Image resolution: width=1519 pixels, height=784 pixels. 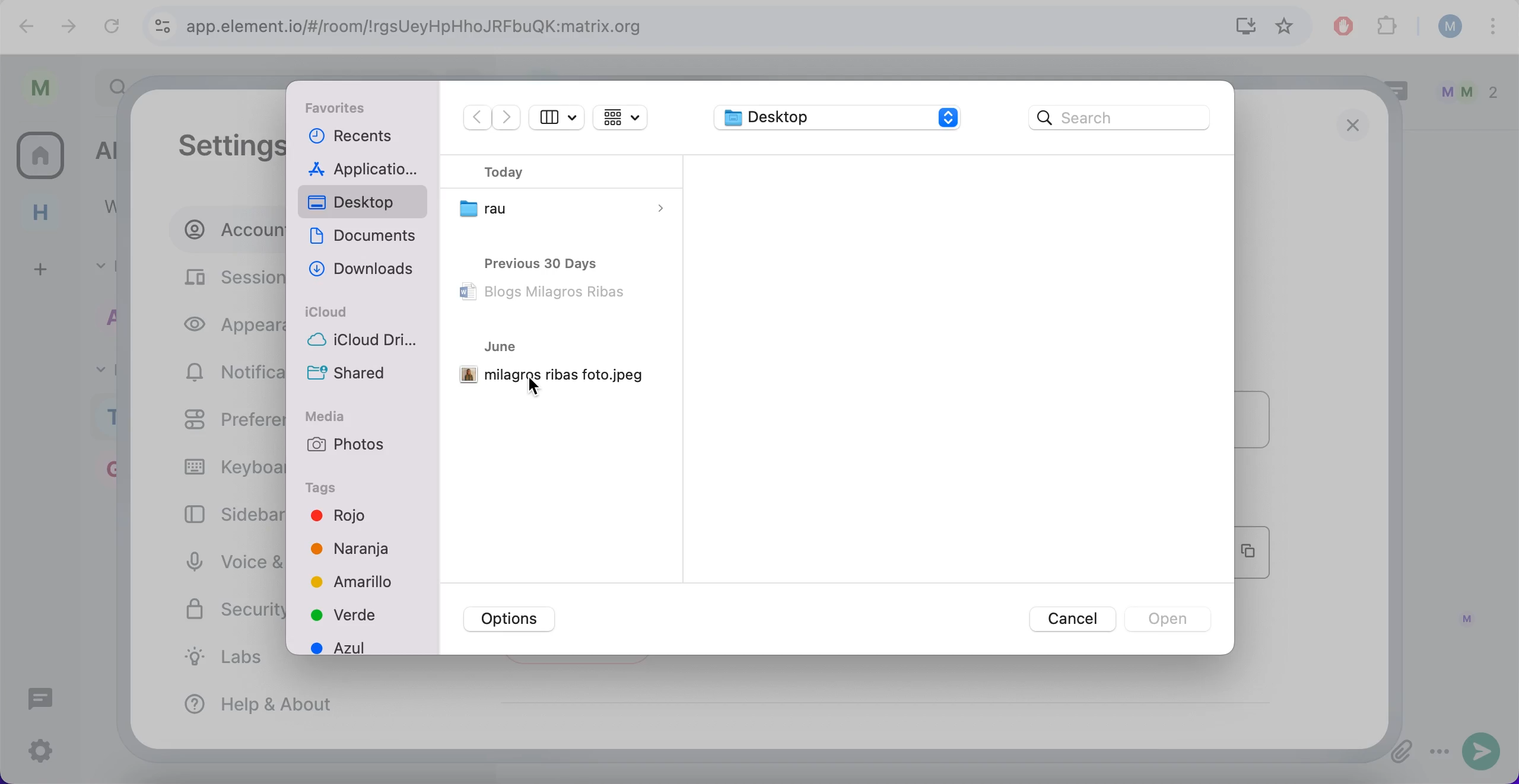 What do you see at coordinates (1472, 93) in the screenshot?
I see `` at bounding box center [1472, 93].